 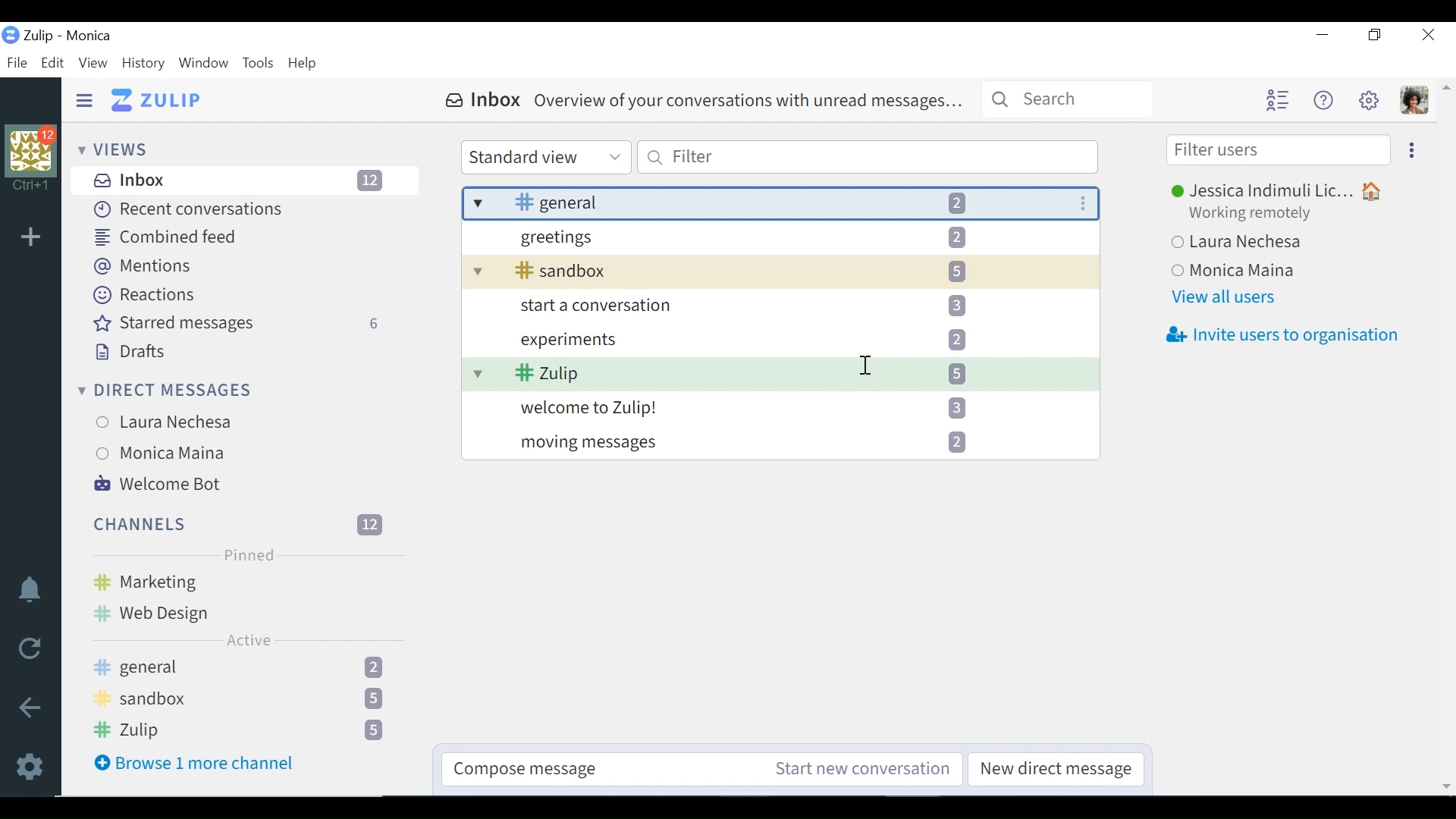 What do you see at coordinates (1082, 202) in the screenshot?
I see `More` at bounding box center [1082, 202].